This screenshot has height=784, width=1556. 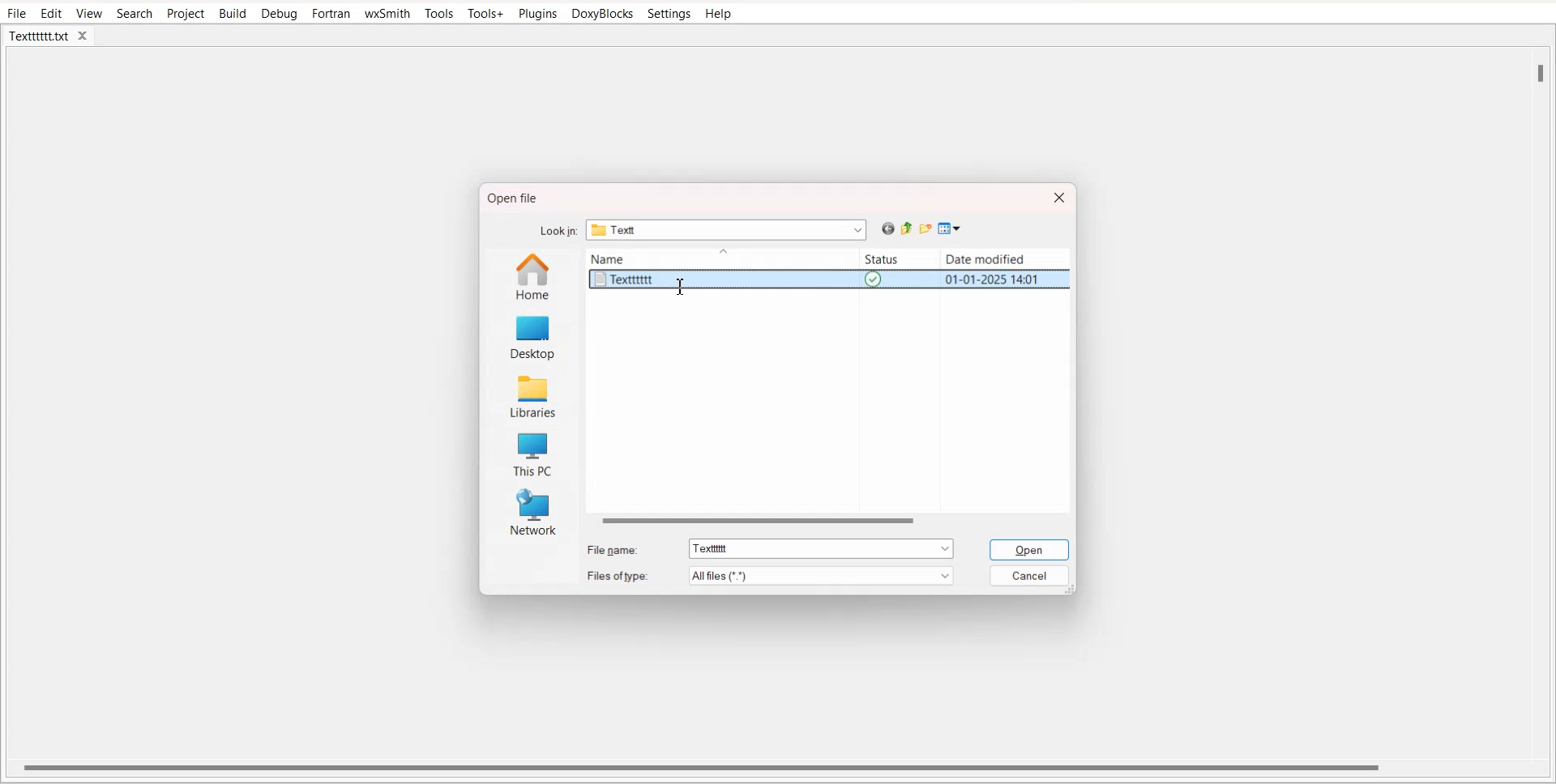 What do you see at coordinates (51, 13) in the screenshot?
I see `Edit` at bounding box center [51, 13].